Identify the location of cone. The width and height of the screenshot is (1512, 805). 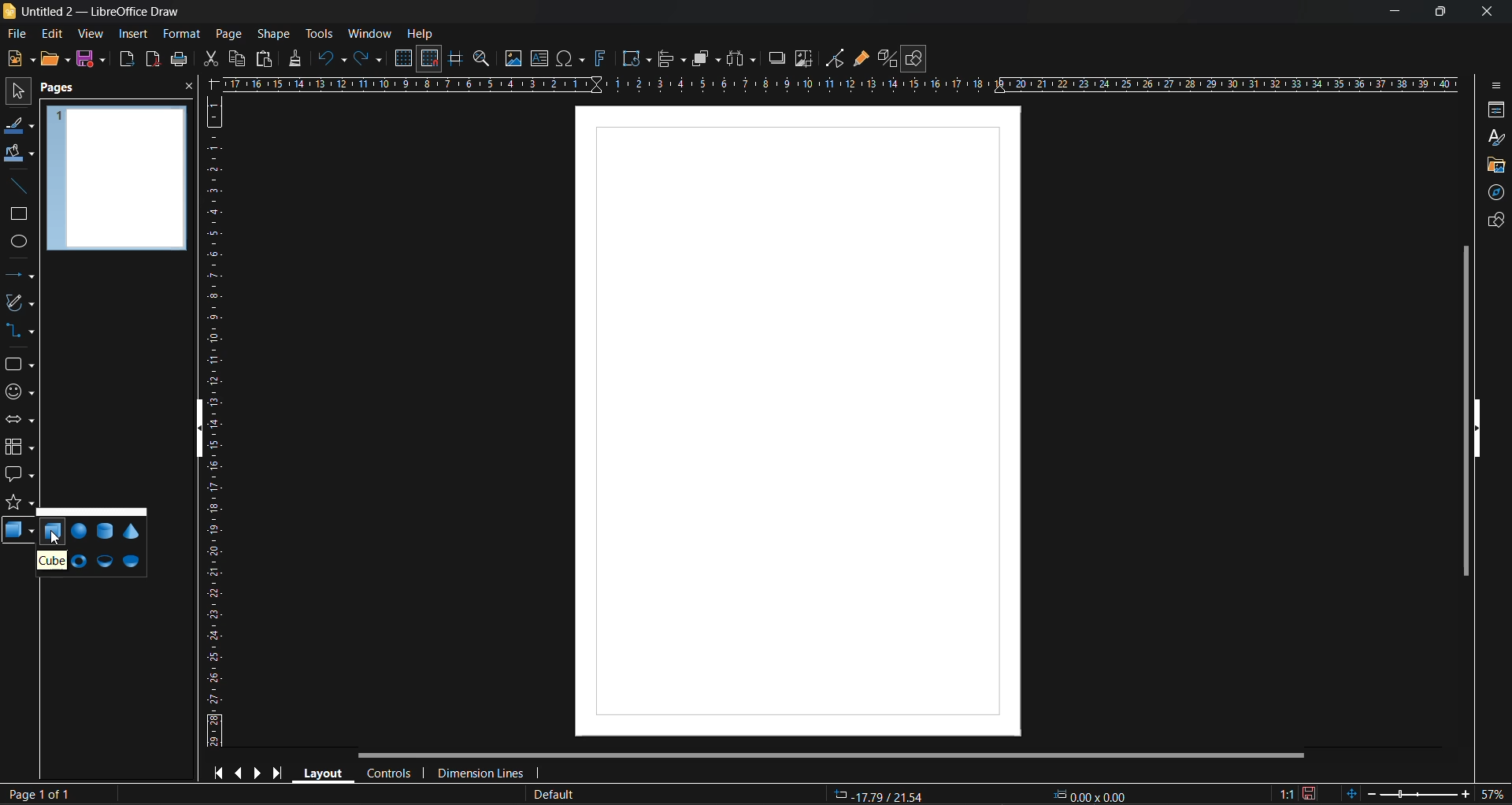
(132, 533).